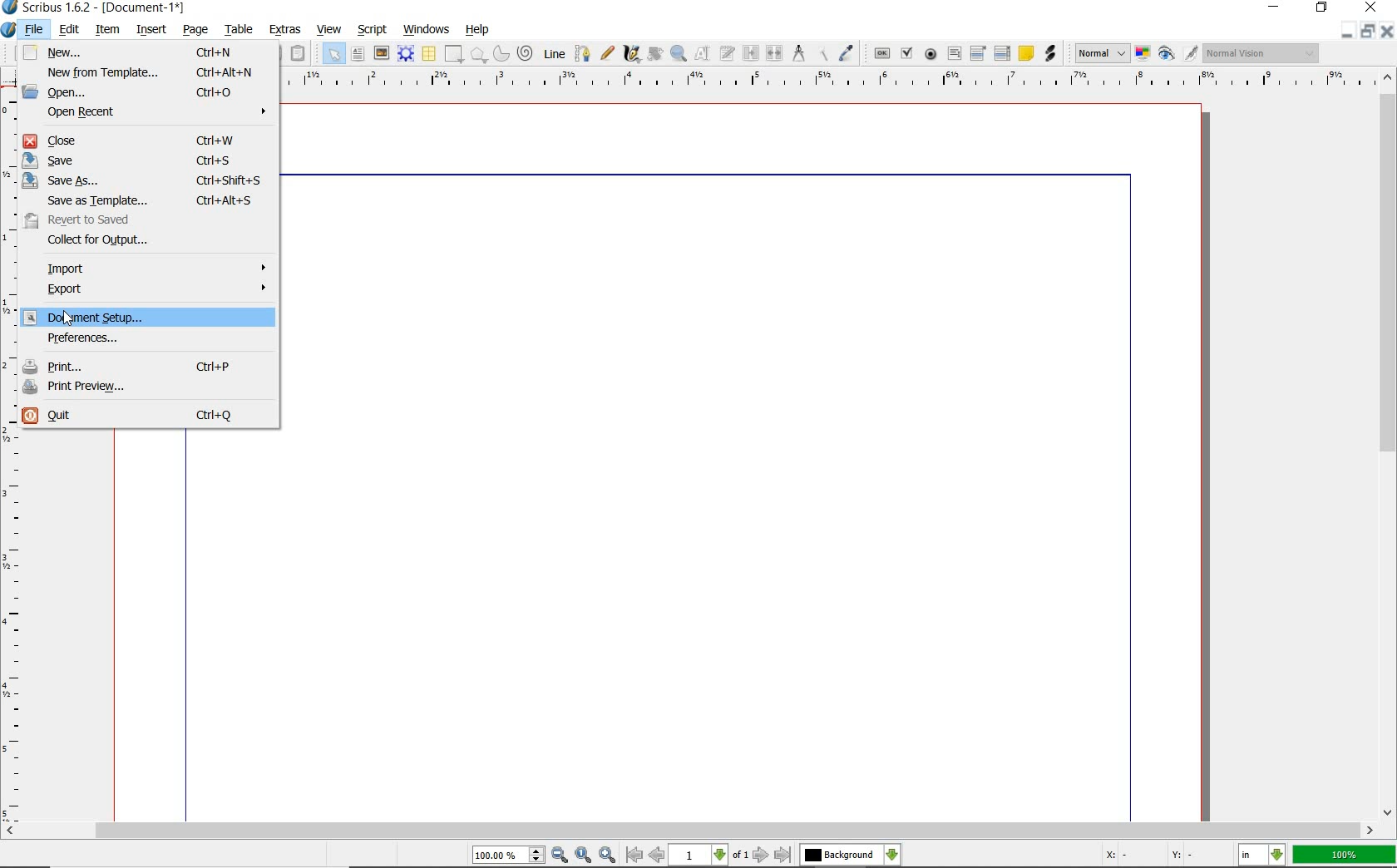  I want to click on PRINT PREVIEW, so click(150, 387).